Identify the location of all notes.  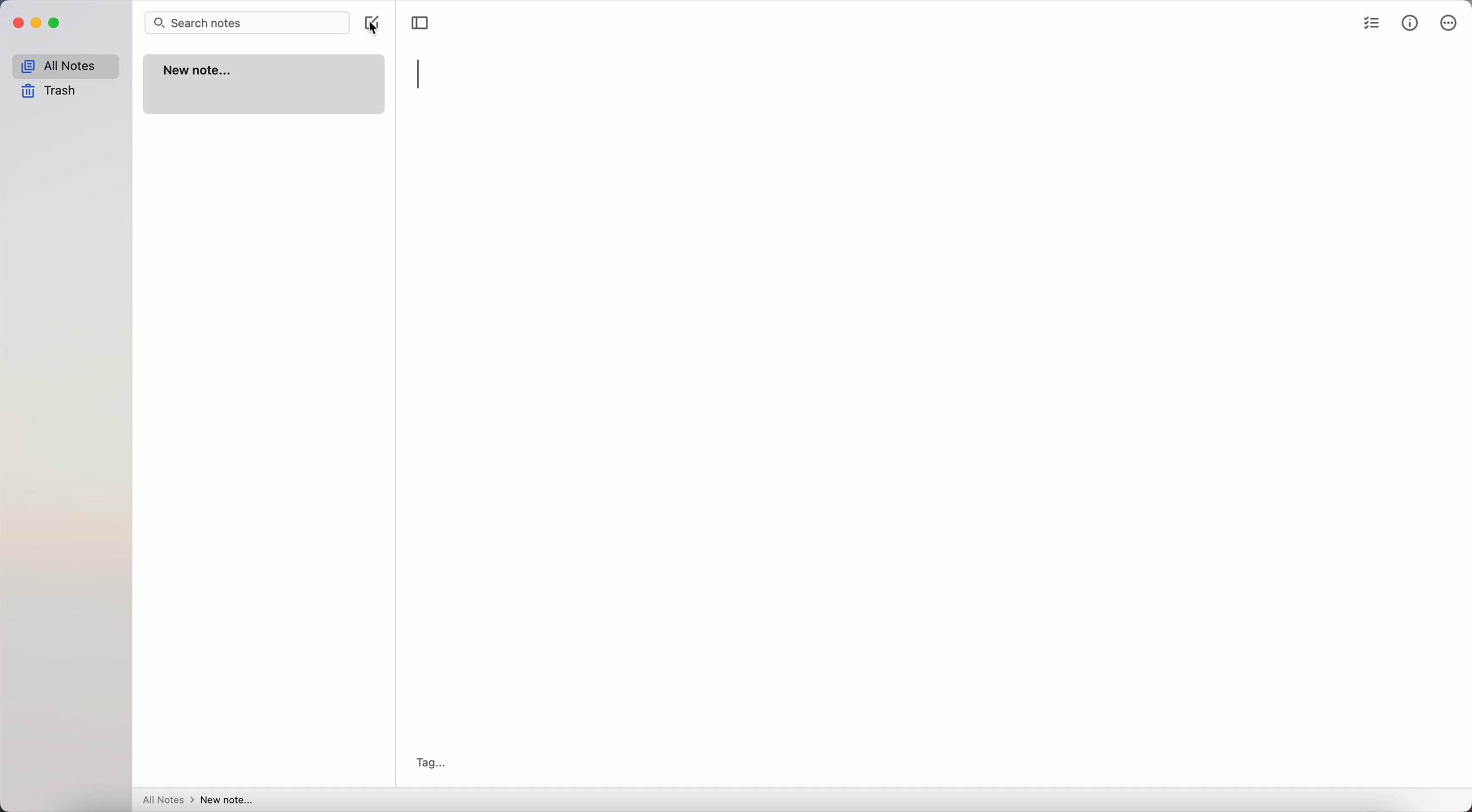
(167, 799).